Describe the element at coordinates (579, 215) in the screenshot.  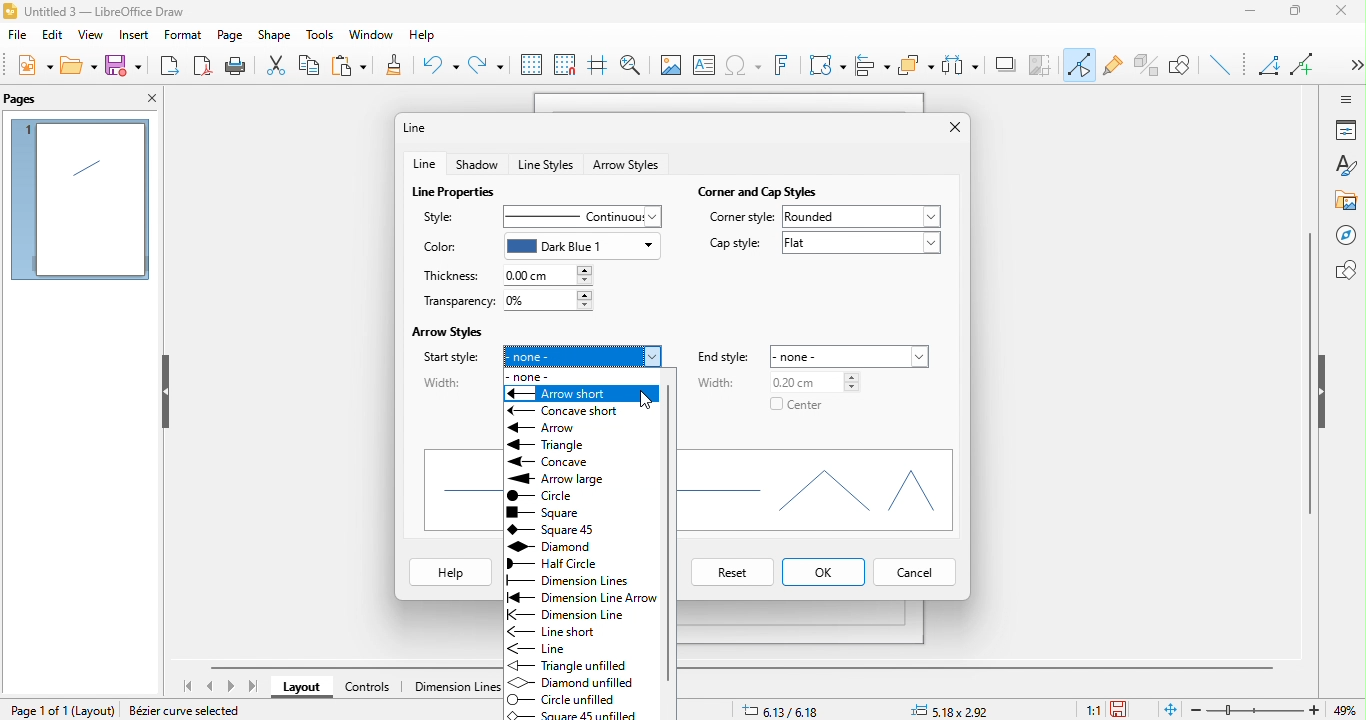
I see `continuous` at that location.